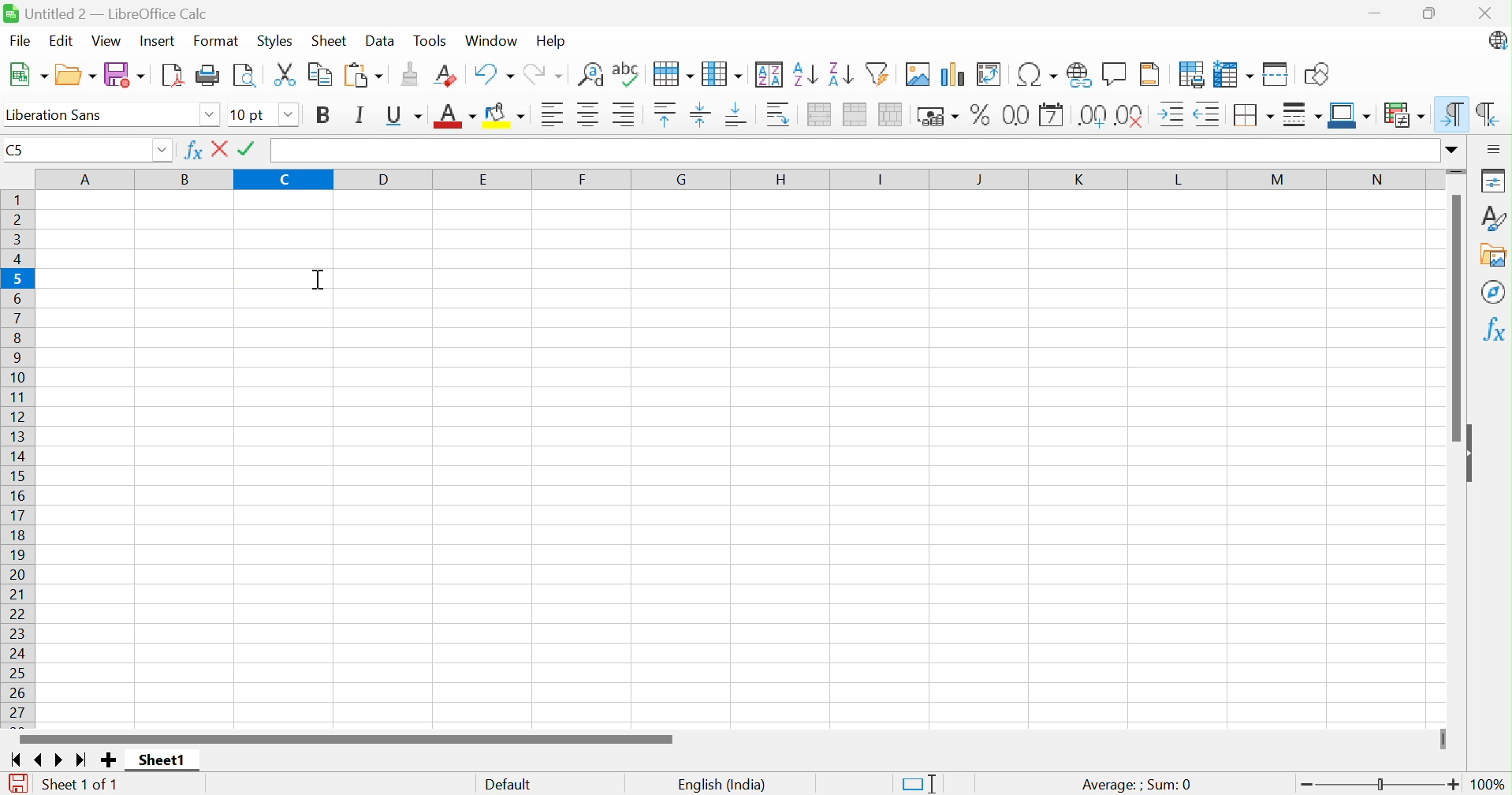 The height and width of the screenshot is (795, 1512). What do you see at coordinates (1488, 115) in the screenshot?
I see `Right-to-left` at bounding box center [1488, 115].